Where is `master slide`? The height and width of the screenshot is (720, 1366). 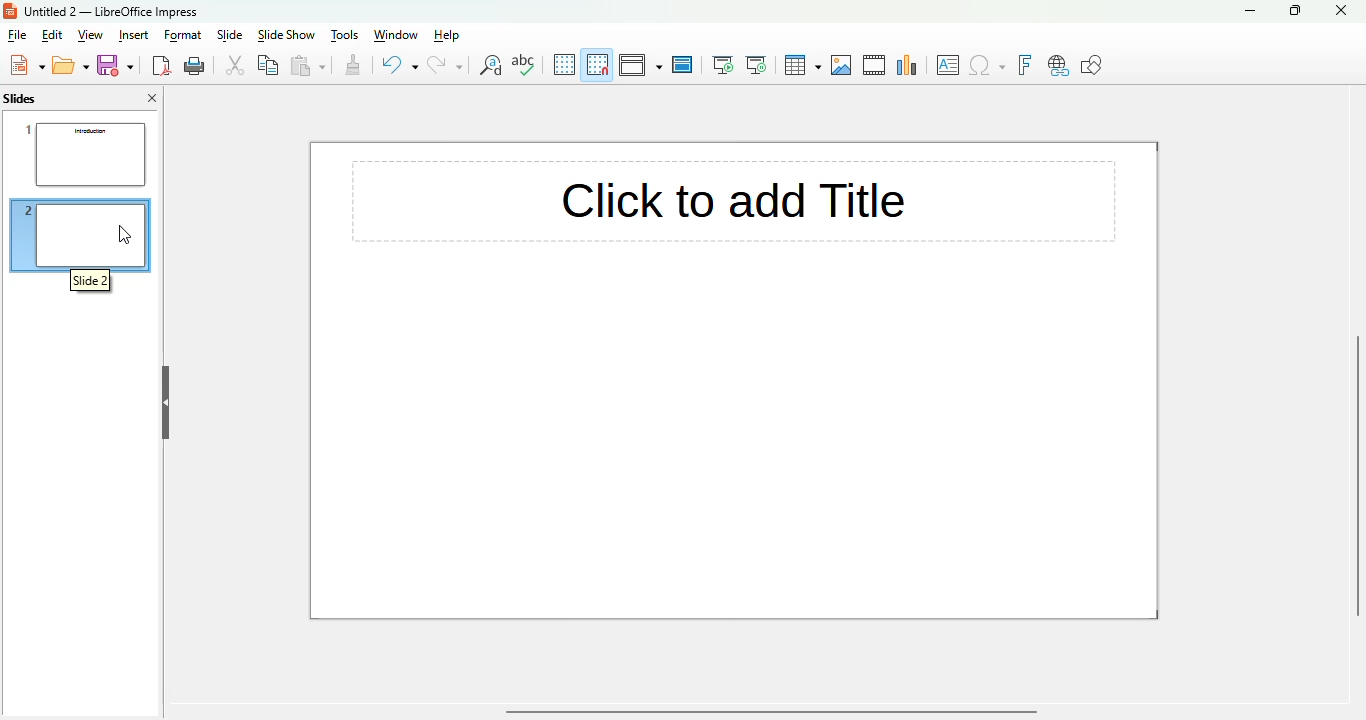 master slide is located at coordinates (682, 65).